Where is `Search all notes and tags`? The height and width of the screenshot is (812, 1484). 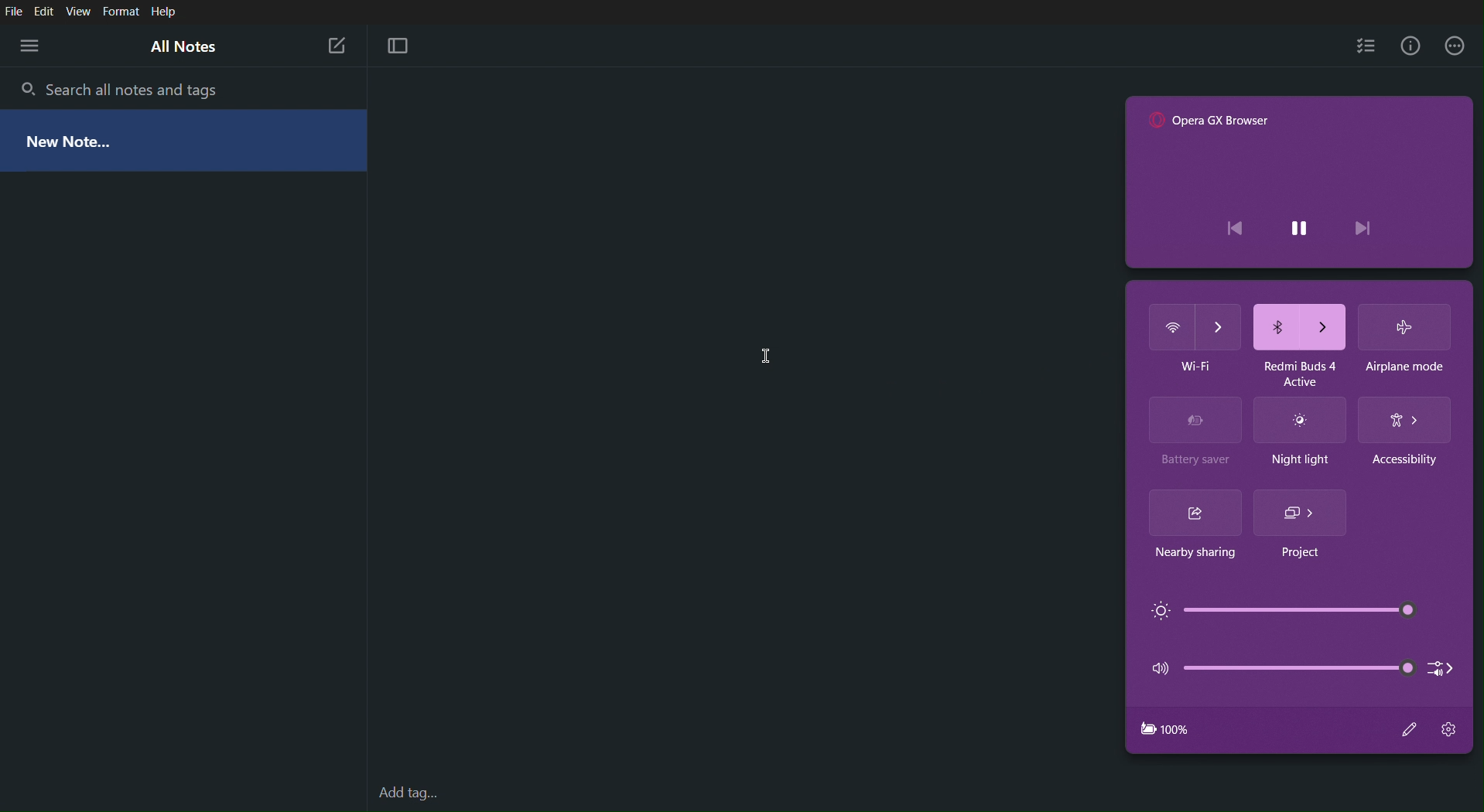
Search all notes and tags is located at coordinates (138, 87).